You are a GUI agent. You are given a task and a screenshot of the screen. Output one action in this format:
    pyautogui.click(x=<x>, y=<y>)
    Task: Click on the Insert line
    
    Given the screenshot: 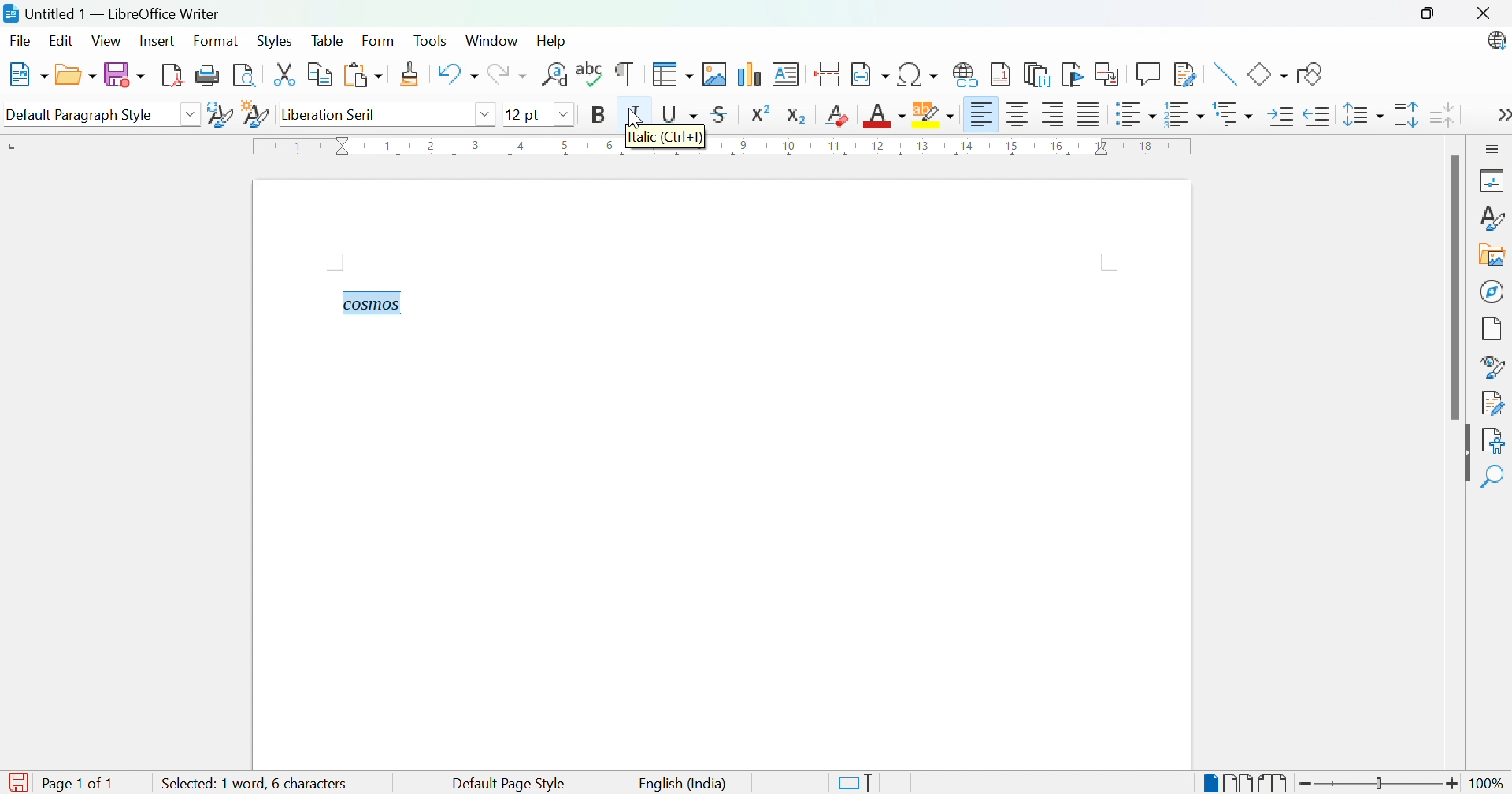 What is the action you would take?
    pyautogui.click(x=1227, y=74)
    